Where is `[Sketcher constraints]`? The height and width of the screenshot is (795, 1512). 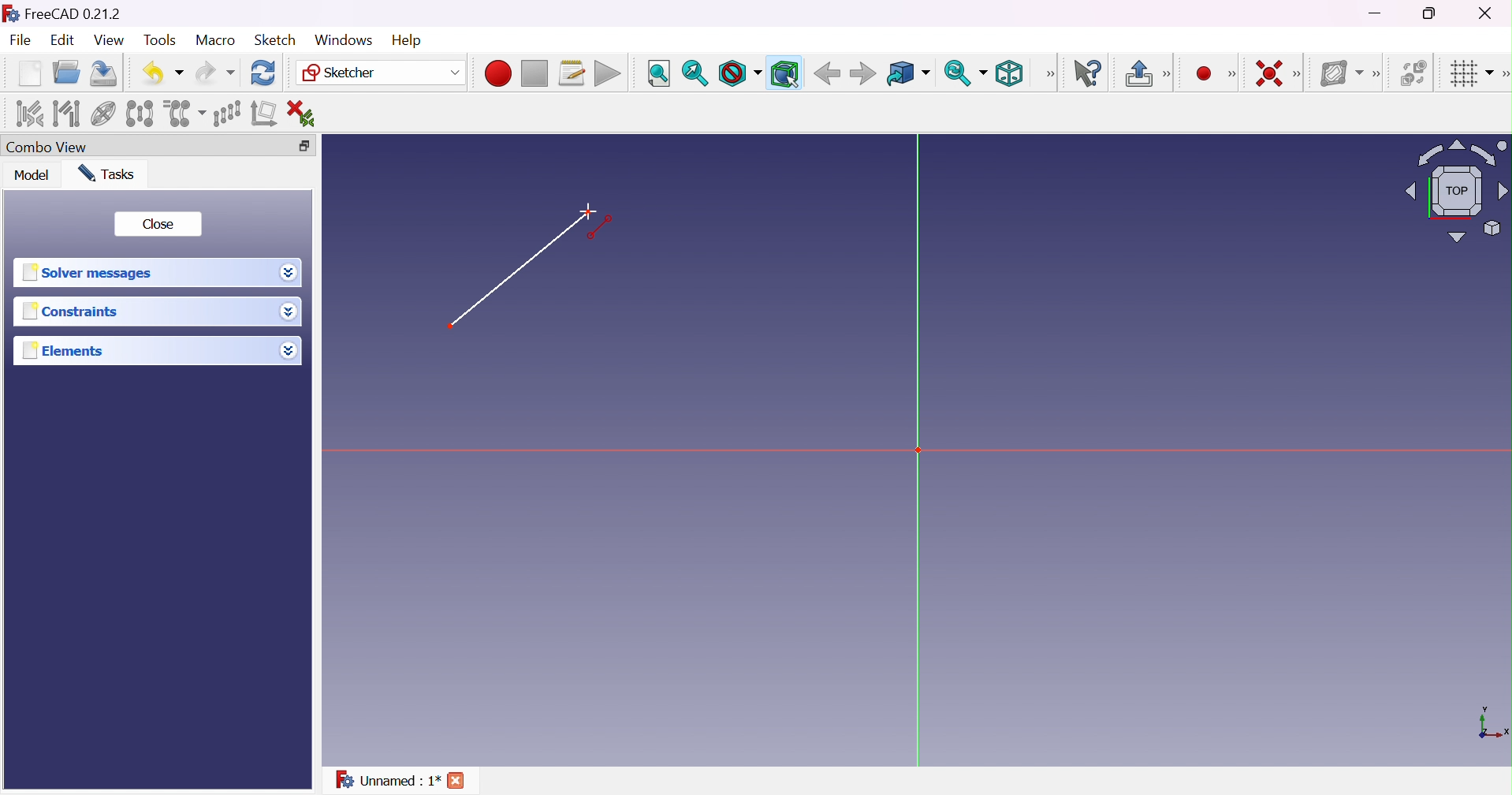 [Sketcher constraints] is located at coordinates (1300, 74).